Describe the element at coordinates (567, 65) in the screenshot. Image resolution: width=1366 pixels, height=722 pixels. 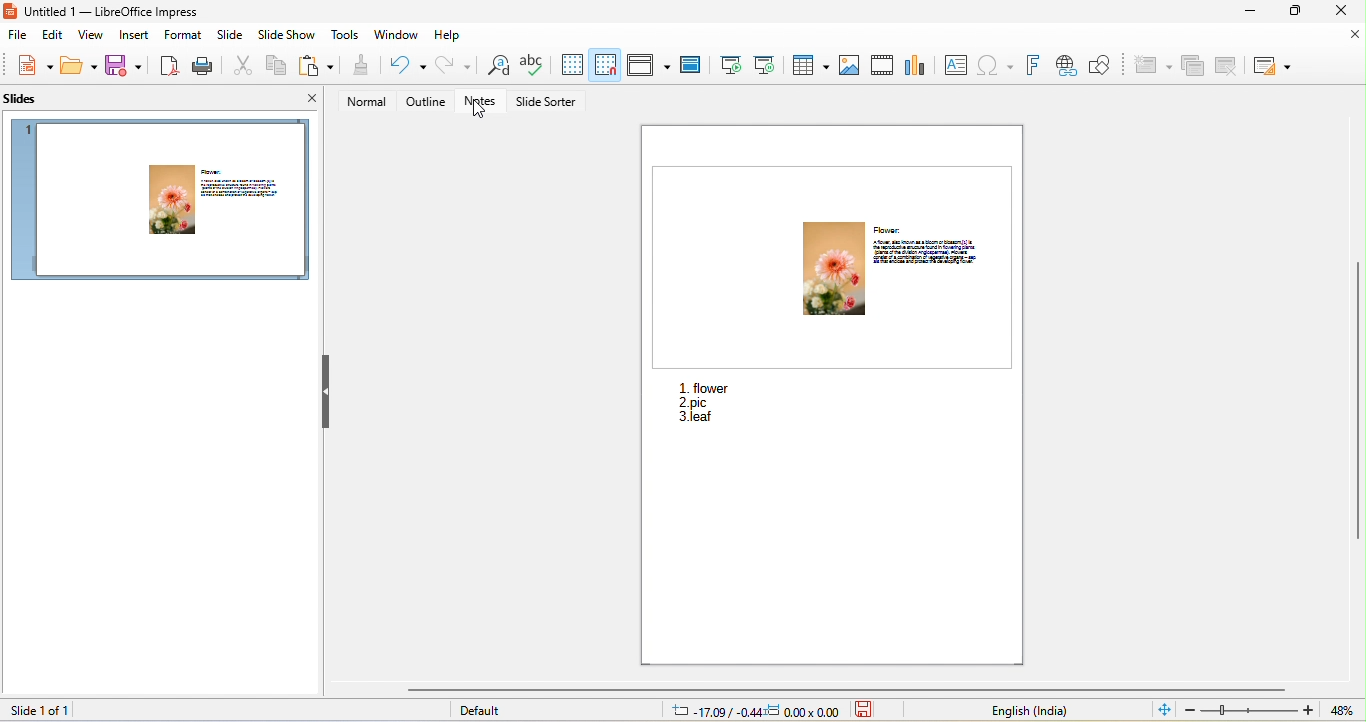
I see `display grids` at that location.